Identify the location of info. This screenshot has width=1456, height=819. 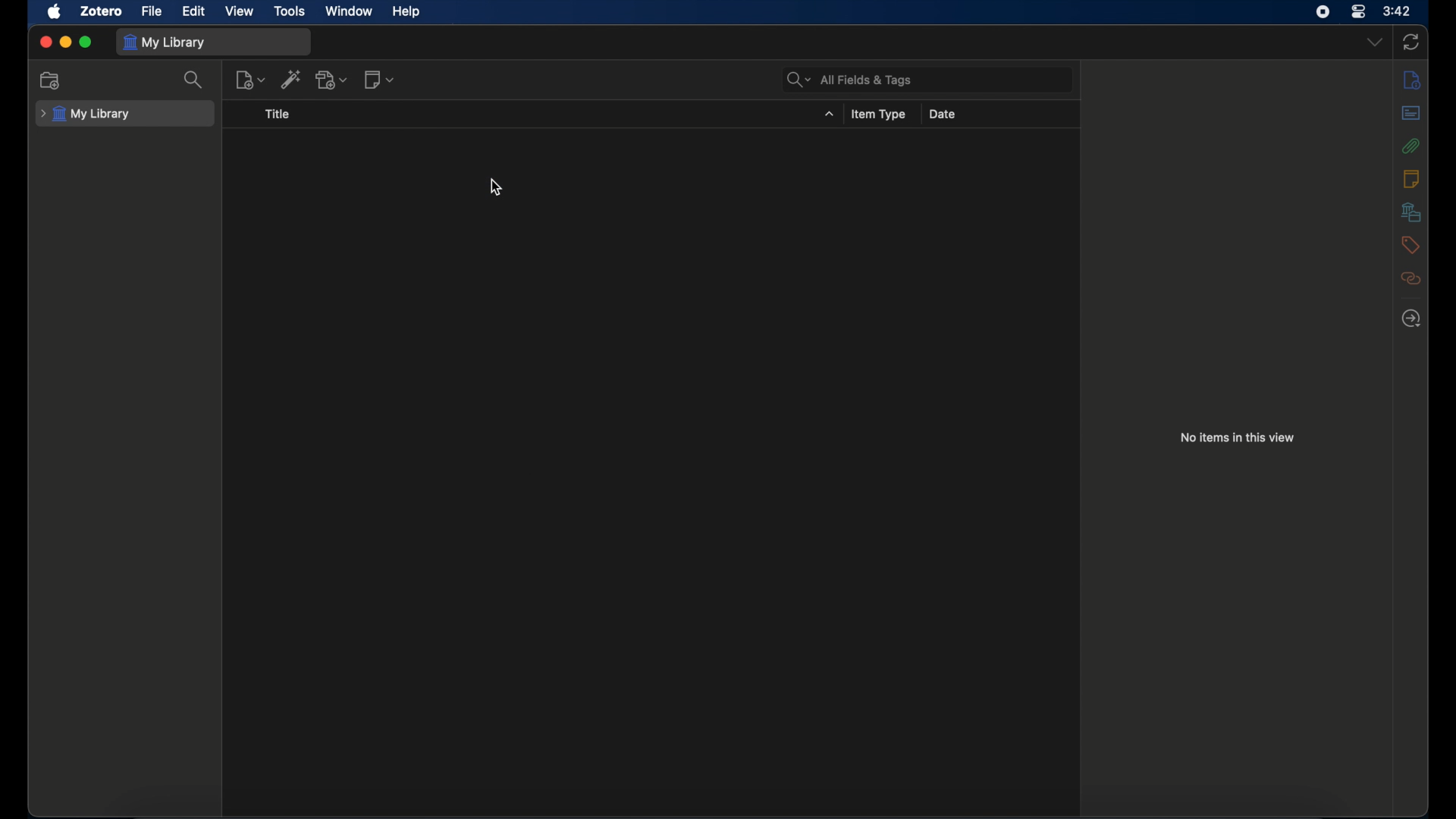
(1411, 80).